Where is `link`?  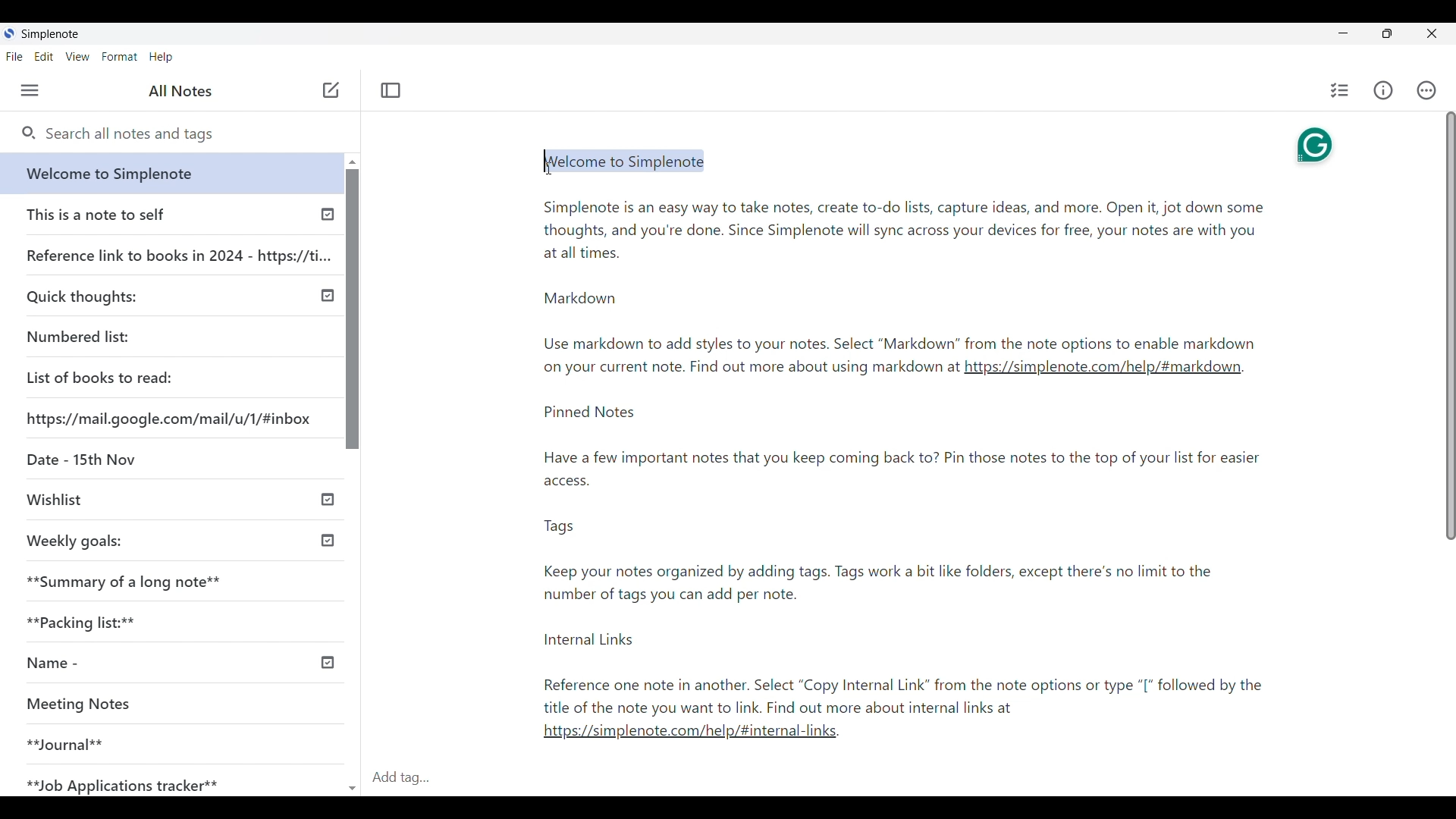
link is located at coordinates (696, 736).